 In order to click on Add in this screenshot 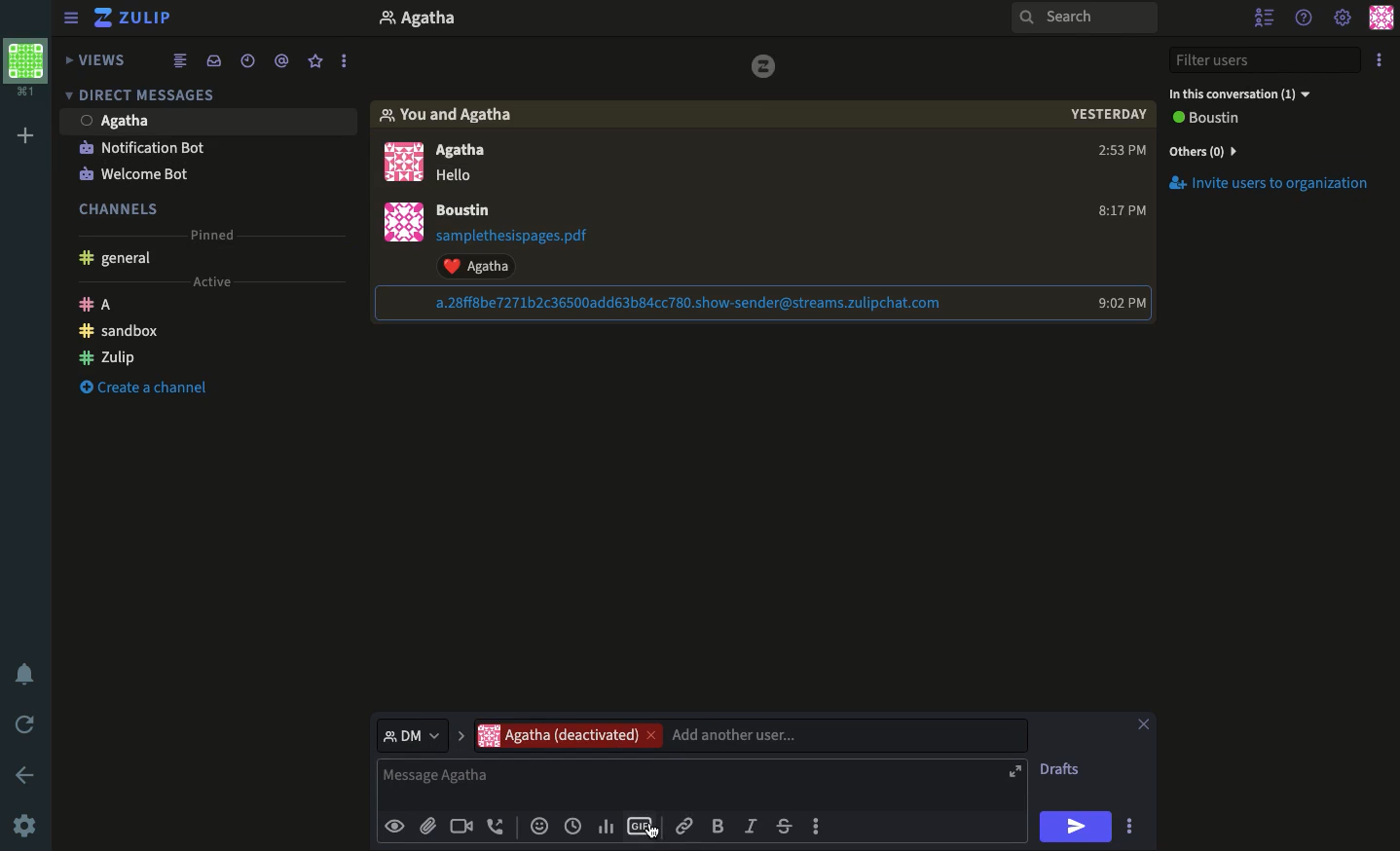, I will do `click(25, 137)`.